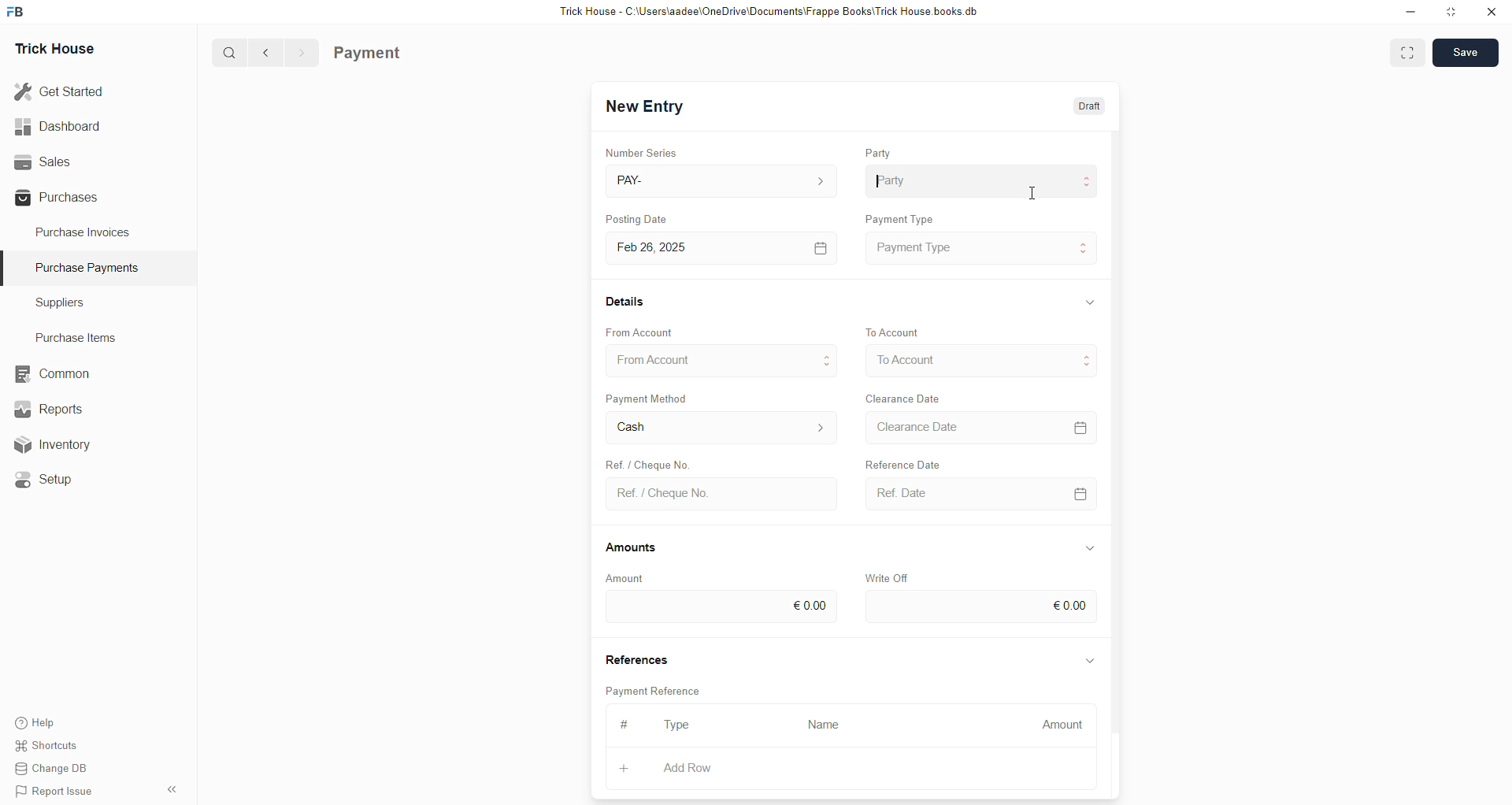 This screenshot has height=805, width=1512. I want to click on Change DB, so click(51, 767).